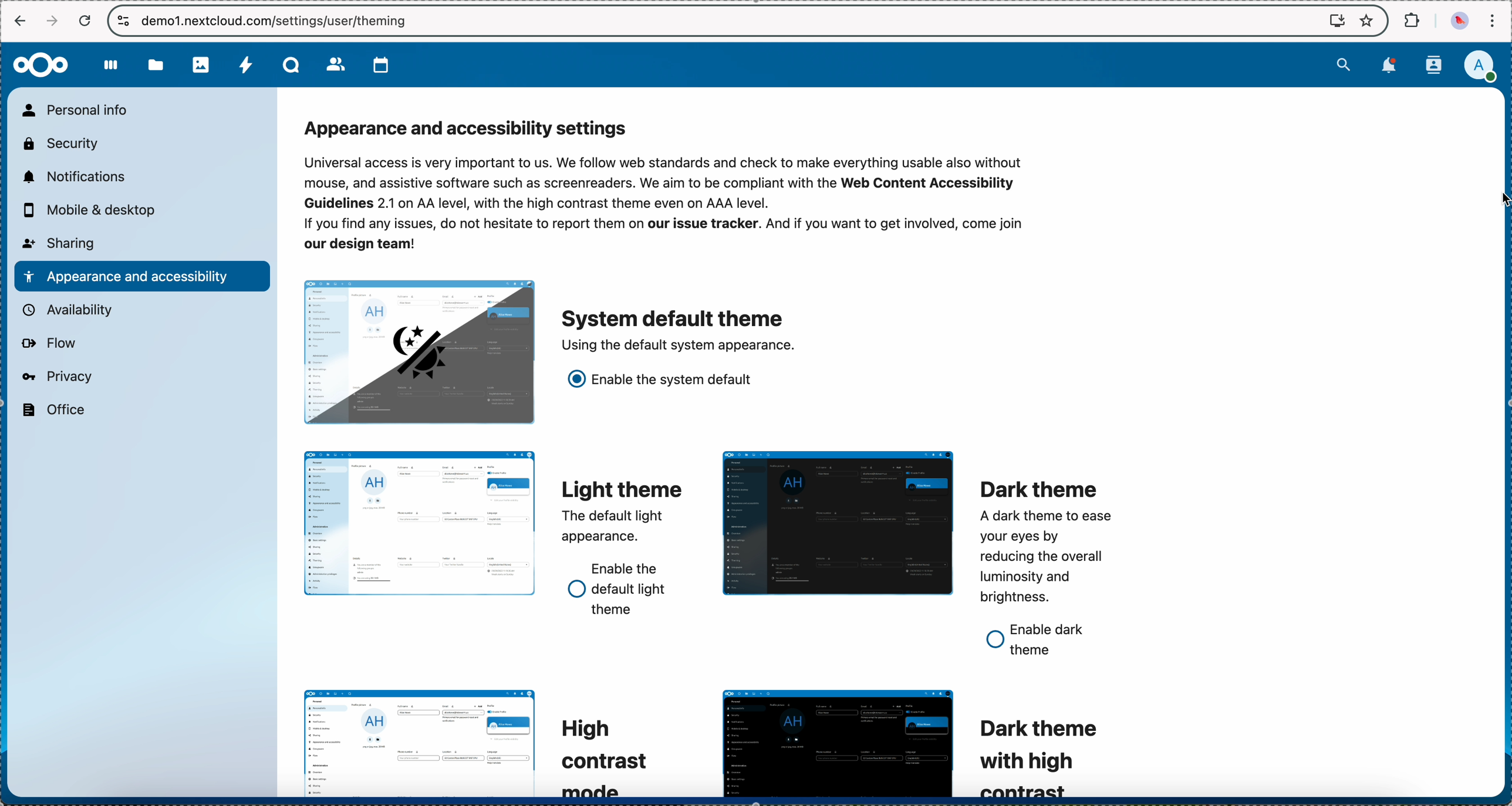  I want to click on dashboard, so click(112, 72).